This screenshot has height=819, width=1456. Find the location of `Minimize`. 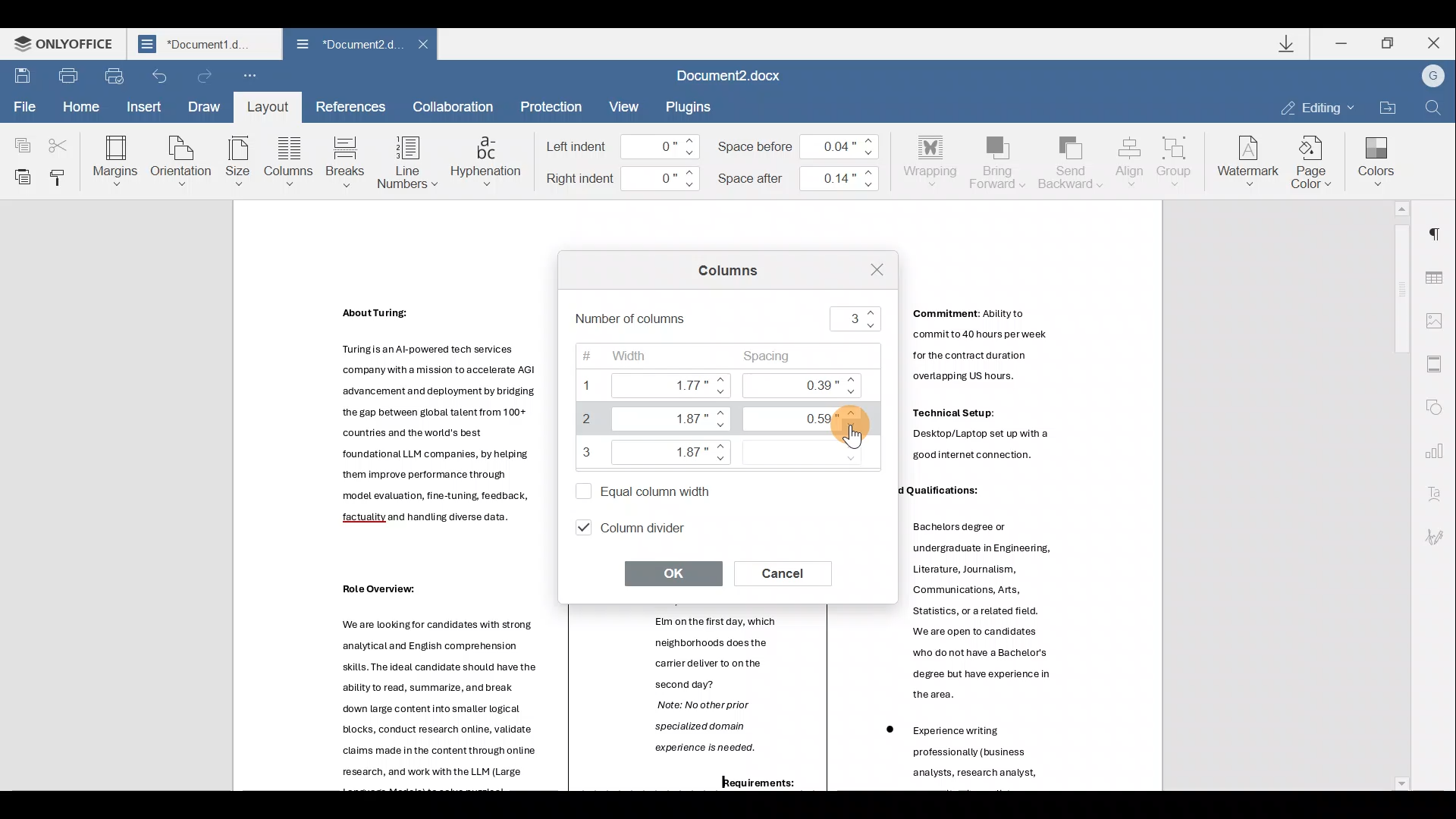

Minimize is located at coordinates (1344, 42).